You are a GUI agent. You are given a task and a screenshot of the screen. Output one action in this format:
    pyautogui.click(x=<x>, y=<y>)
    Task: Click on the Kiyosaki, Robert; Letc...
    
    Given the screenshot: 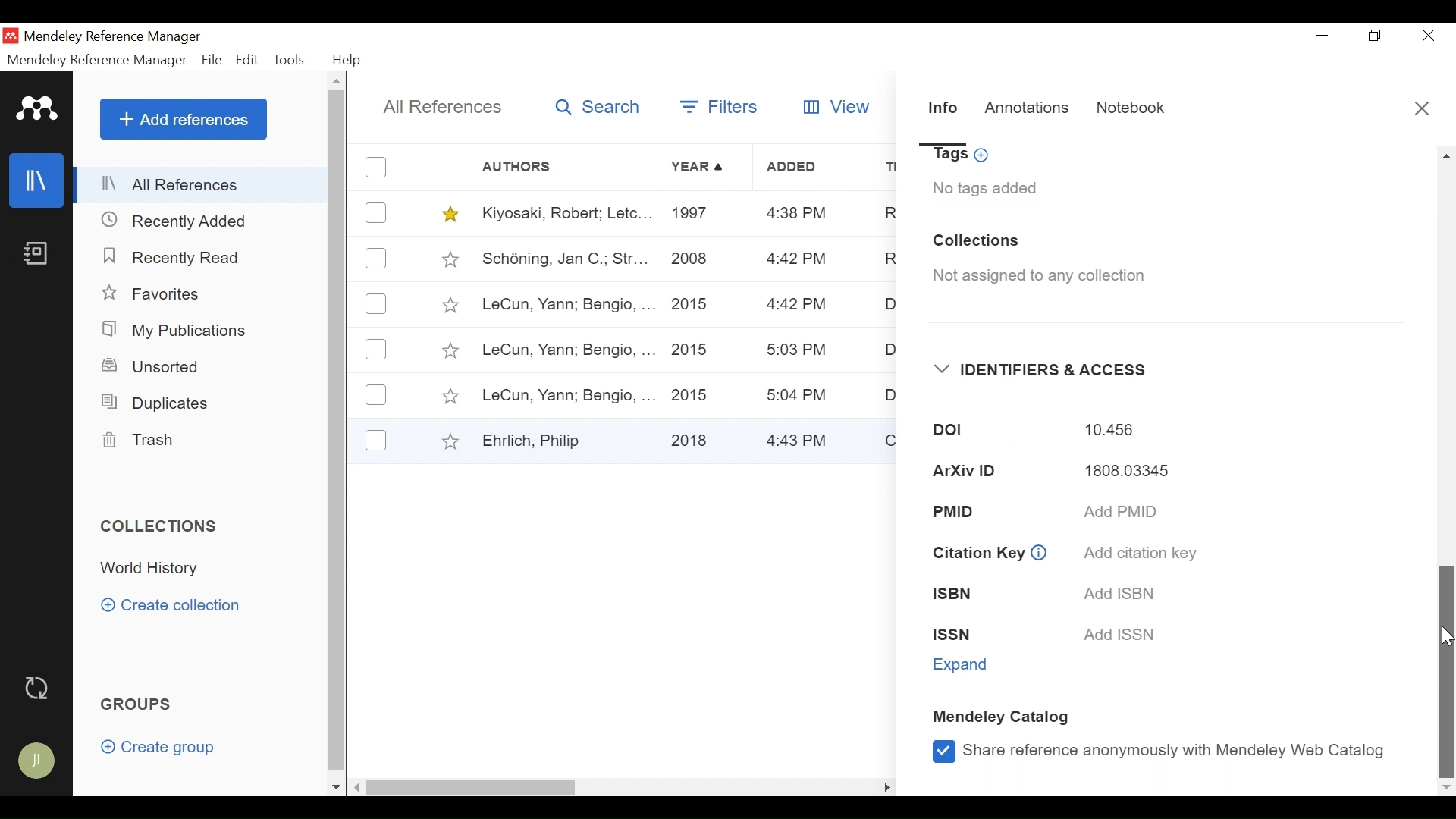 What is the action you would take?
    pyautogui.click(x=564, y=214)
    